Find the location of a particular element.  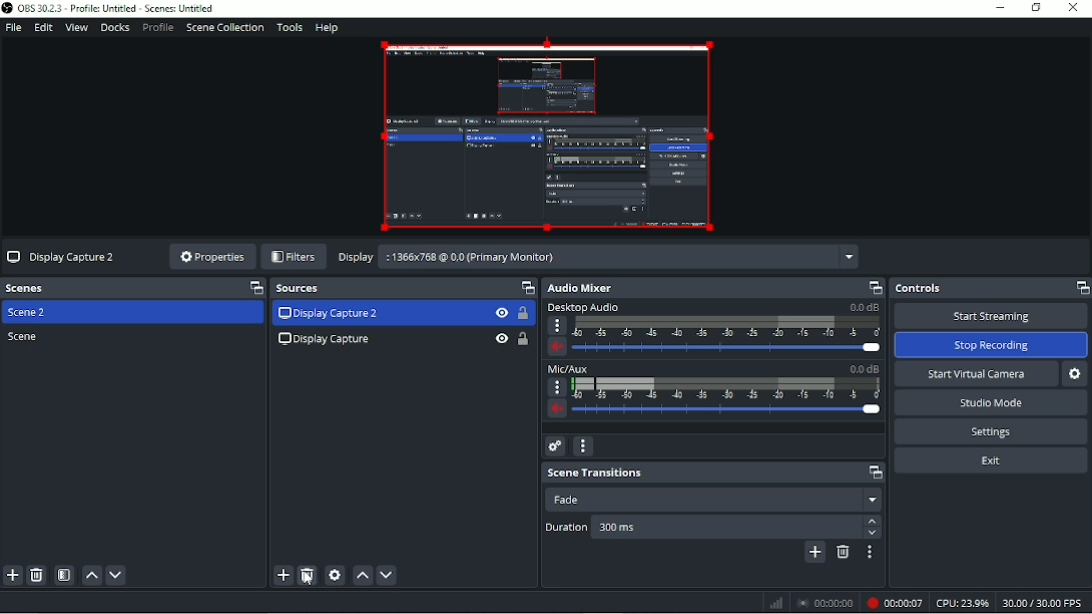

View is located at coordinates (77, 28).